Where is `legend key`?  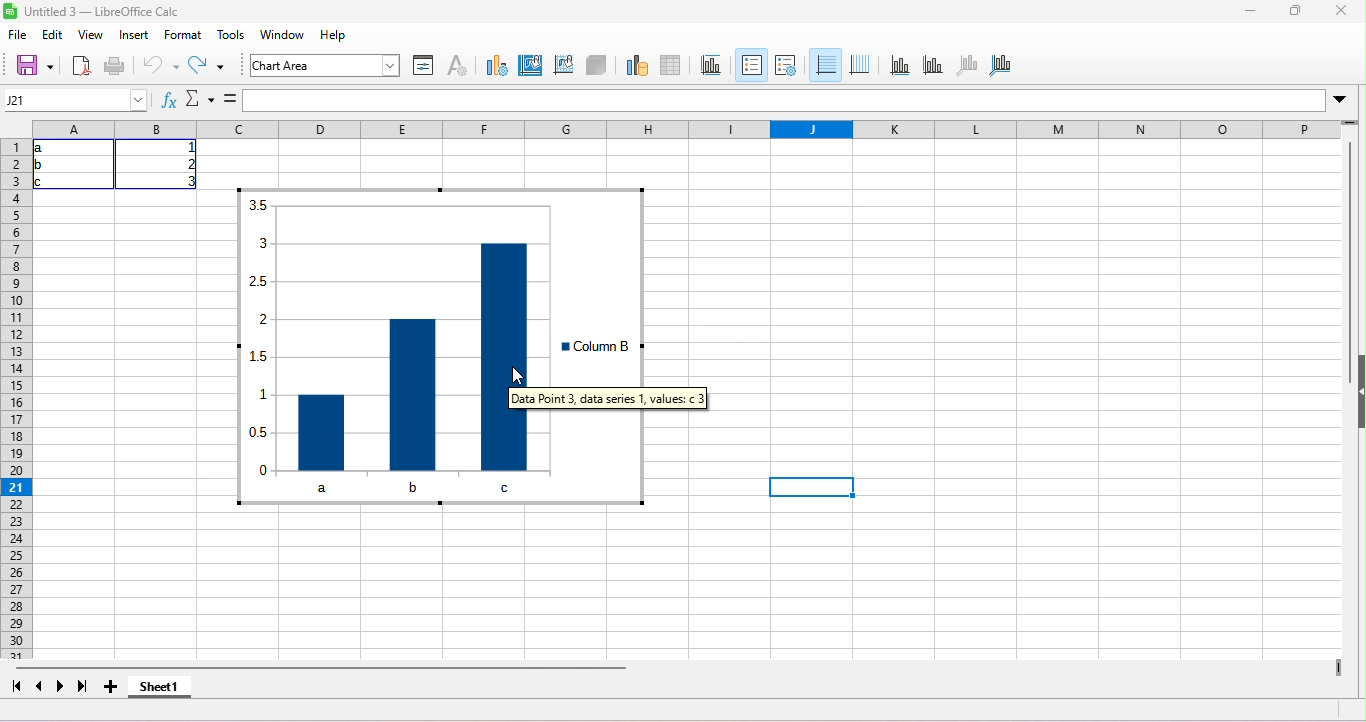 legend key is located at coordinates (562, 346).